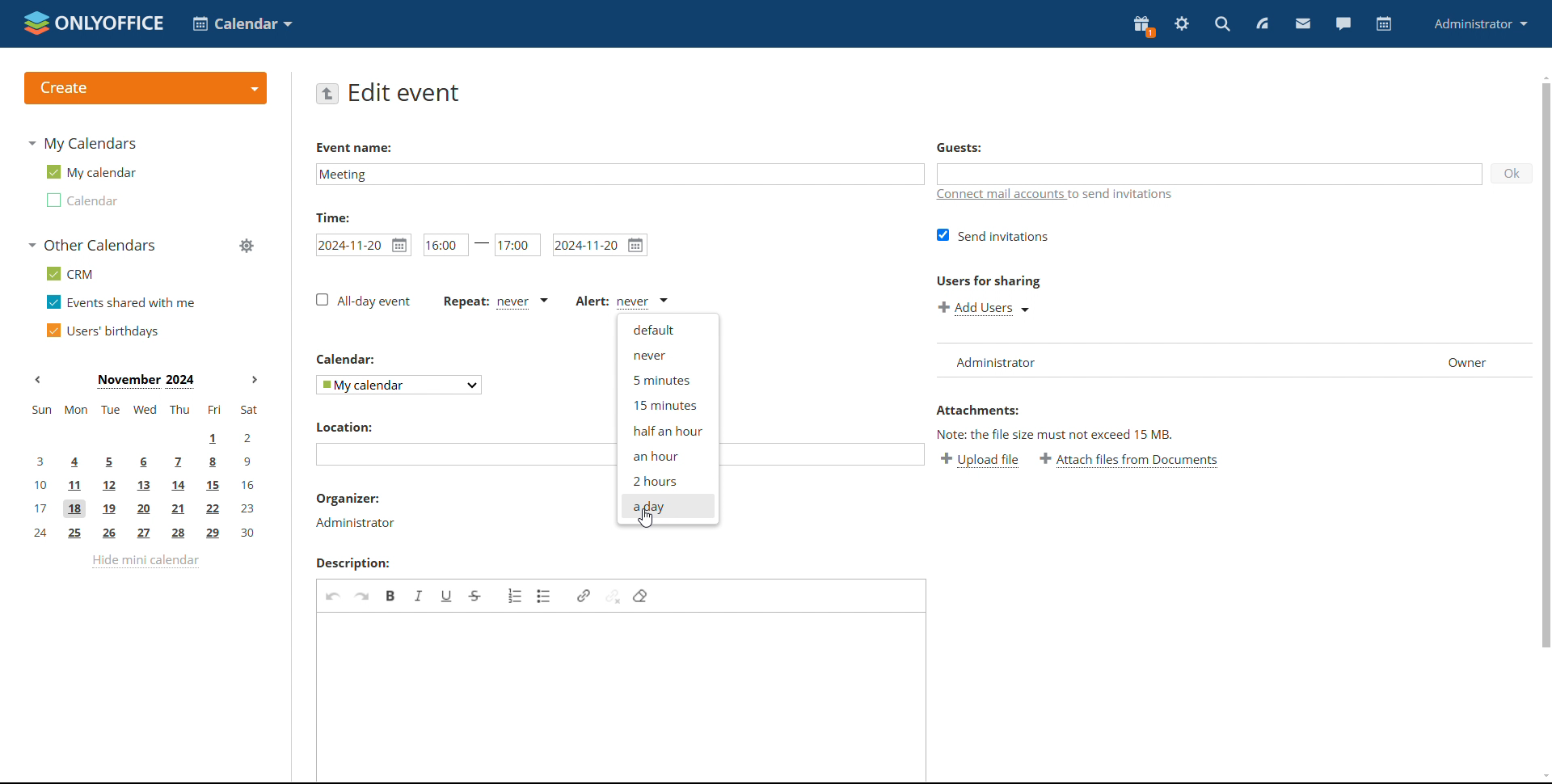 Image resolution: width=1552 pixels, height=784 pixels. I want to click on chat, so click(1342, 24).